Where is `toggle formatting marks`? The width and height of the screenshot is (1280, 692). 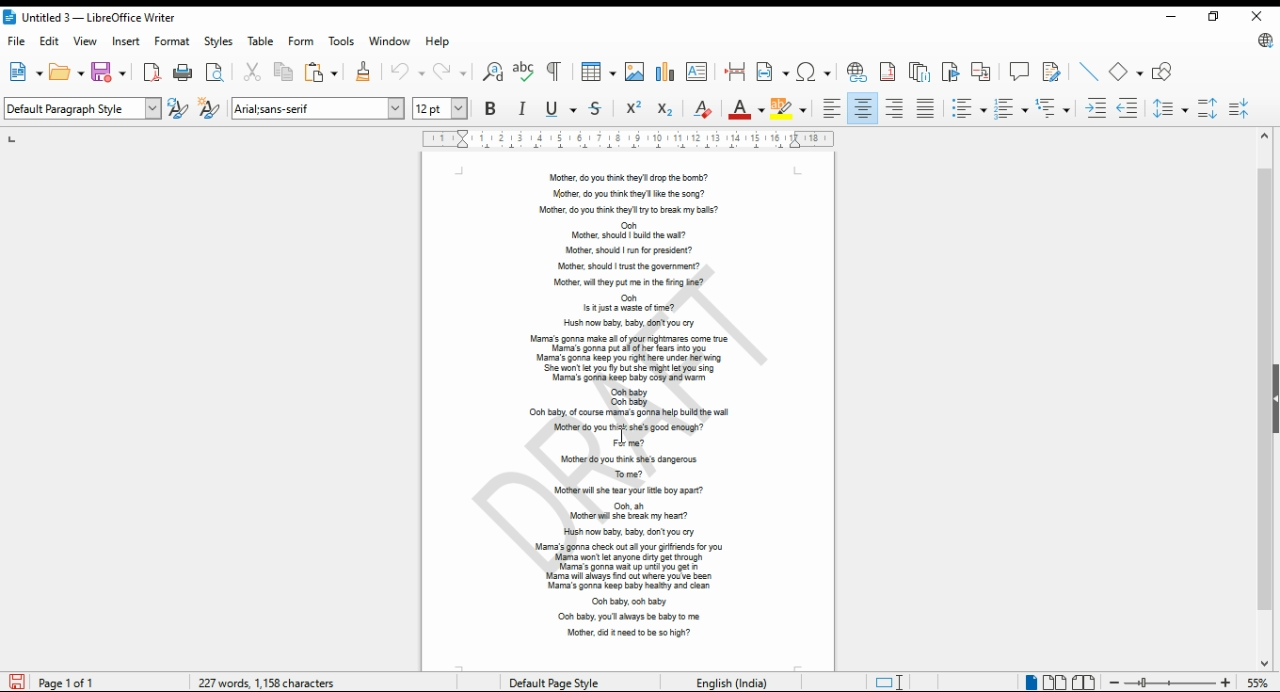 toggle formatting marks is located at coordinates (556, 72).